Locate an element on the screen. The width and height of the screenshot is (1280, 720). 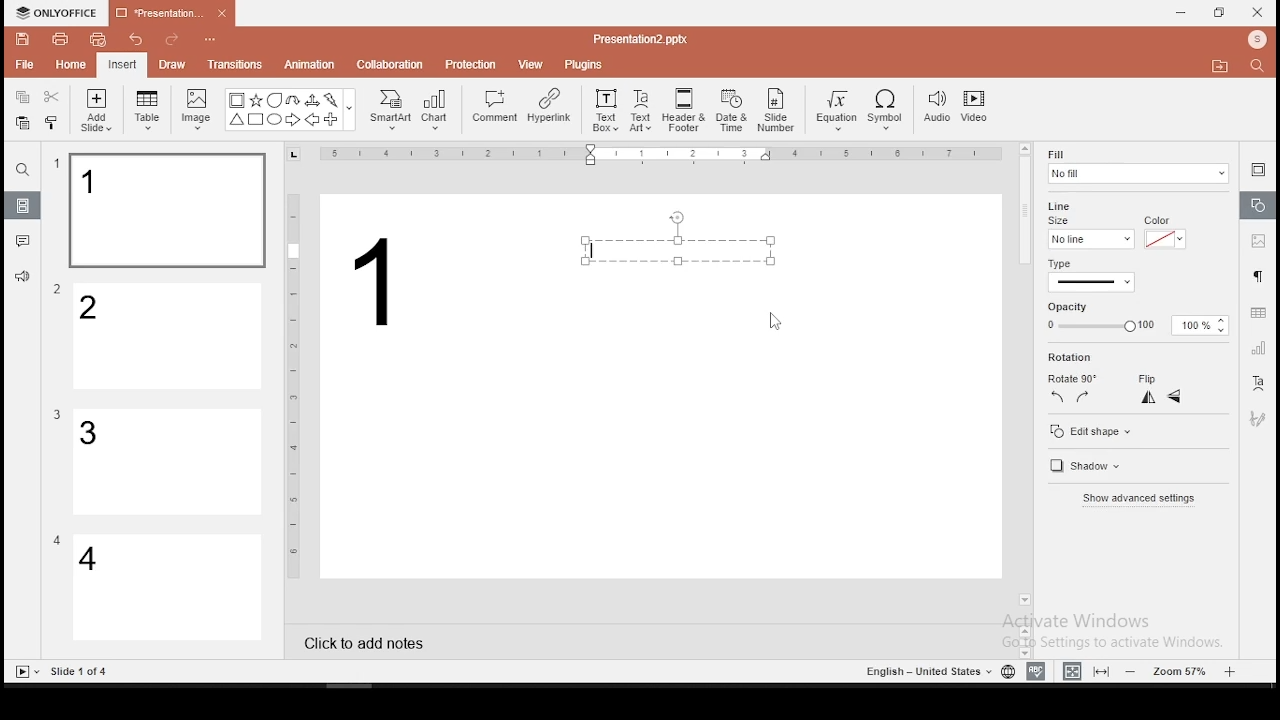
fit to slide is located at coordinates (1104, 670).